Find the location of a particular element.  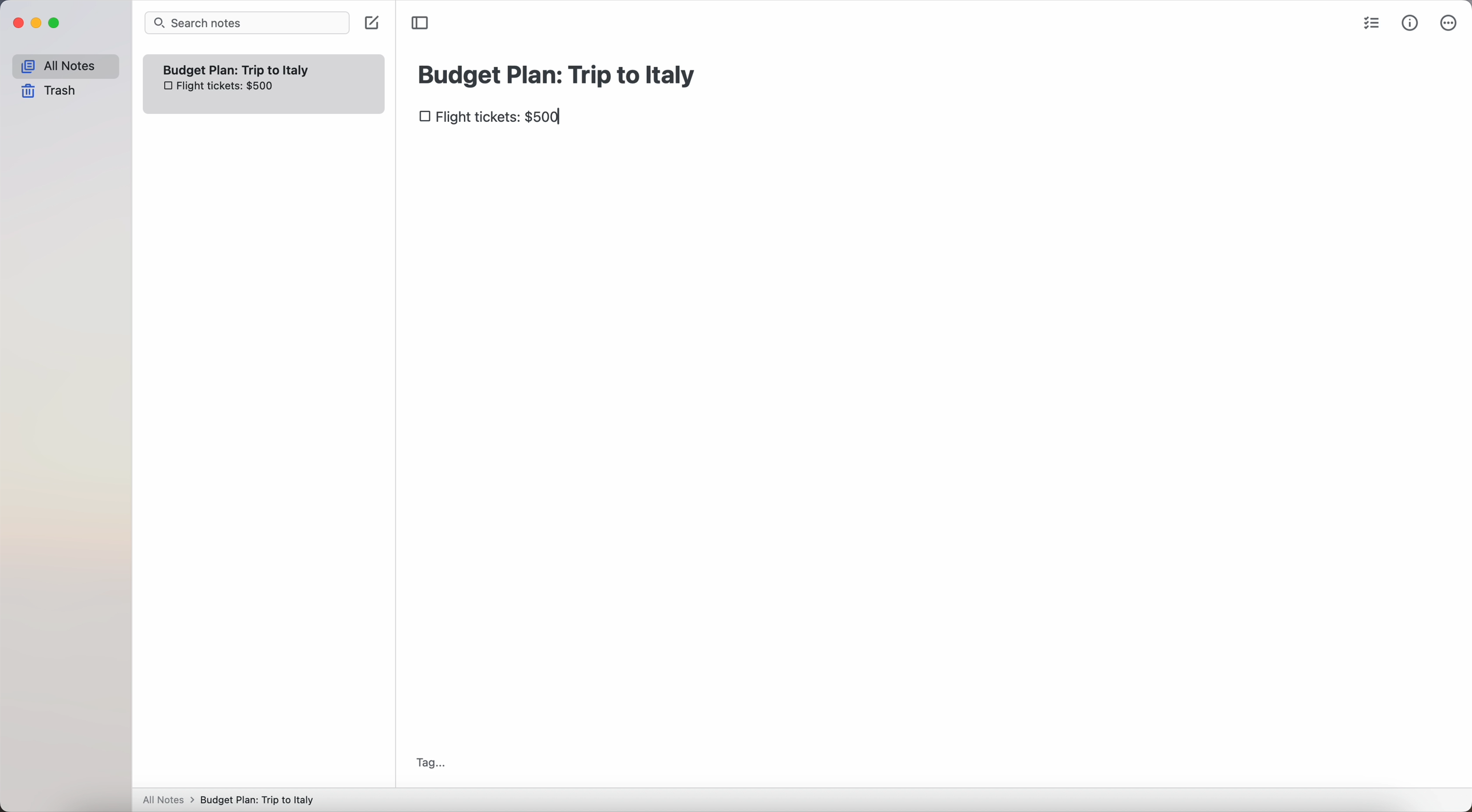

tag is located at coordinates (431, 763).